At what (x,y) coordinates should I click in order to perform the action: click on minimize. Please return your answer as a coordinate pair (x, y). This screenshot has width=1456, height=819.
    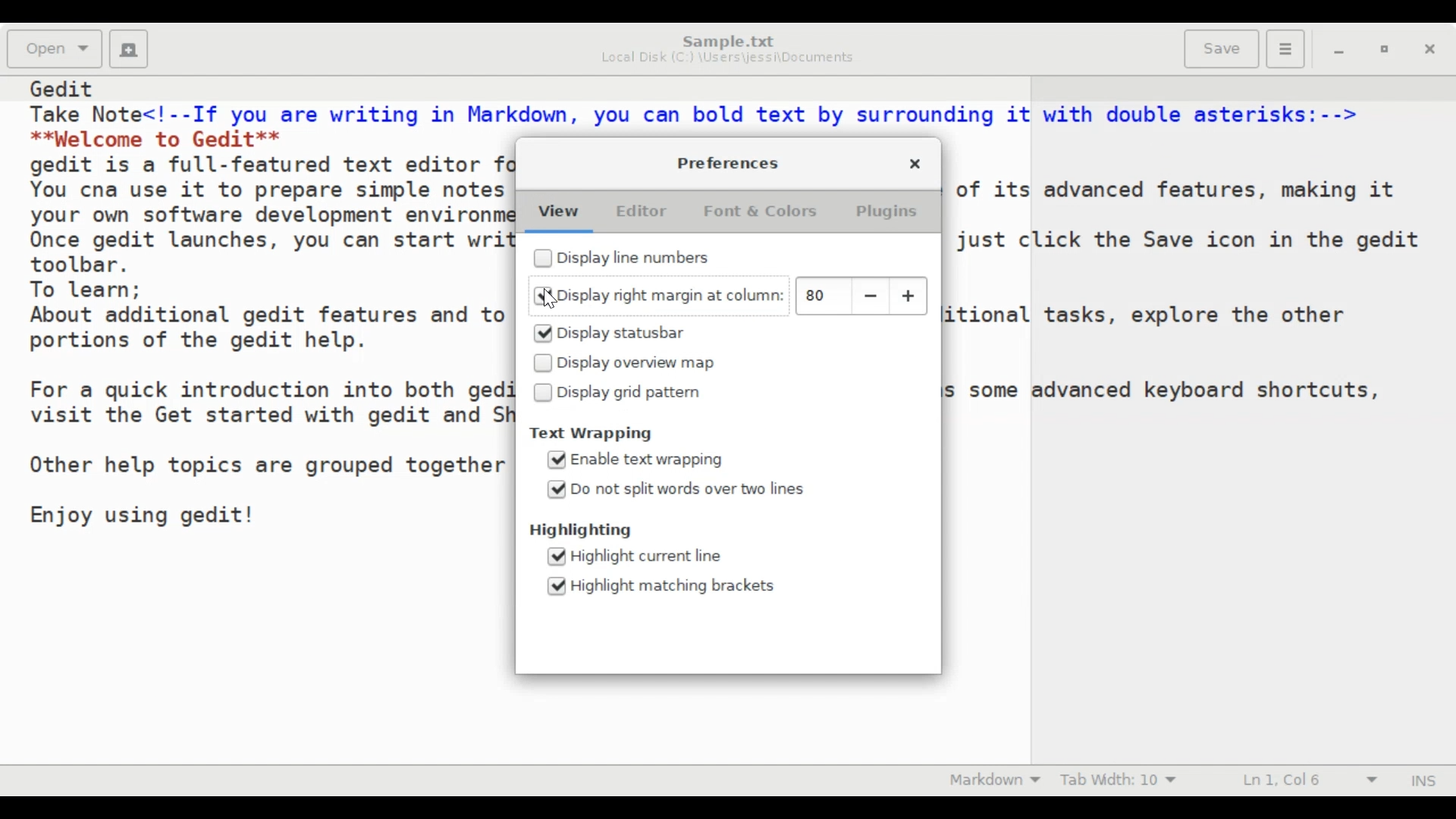
    Looking at the image, I should click on (1340, 52).